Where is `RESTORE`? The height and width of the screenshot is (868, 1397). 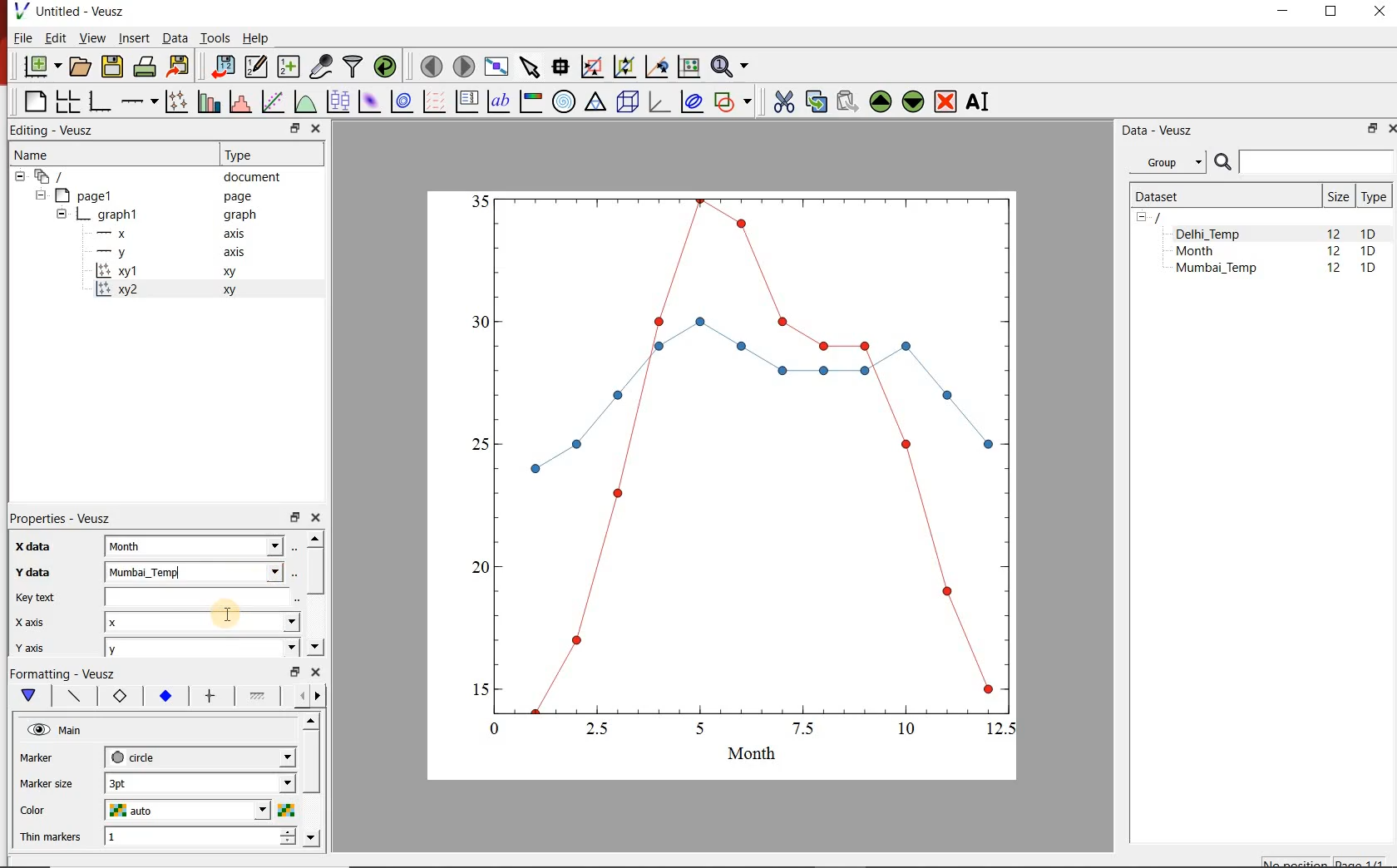
RESTORE is located at coordinates (1373, 129).